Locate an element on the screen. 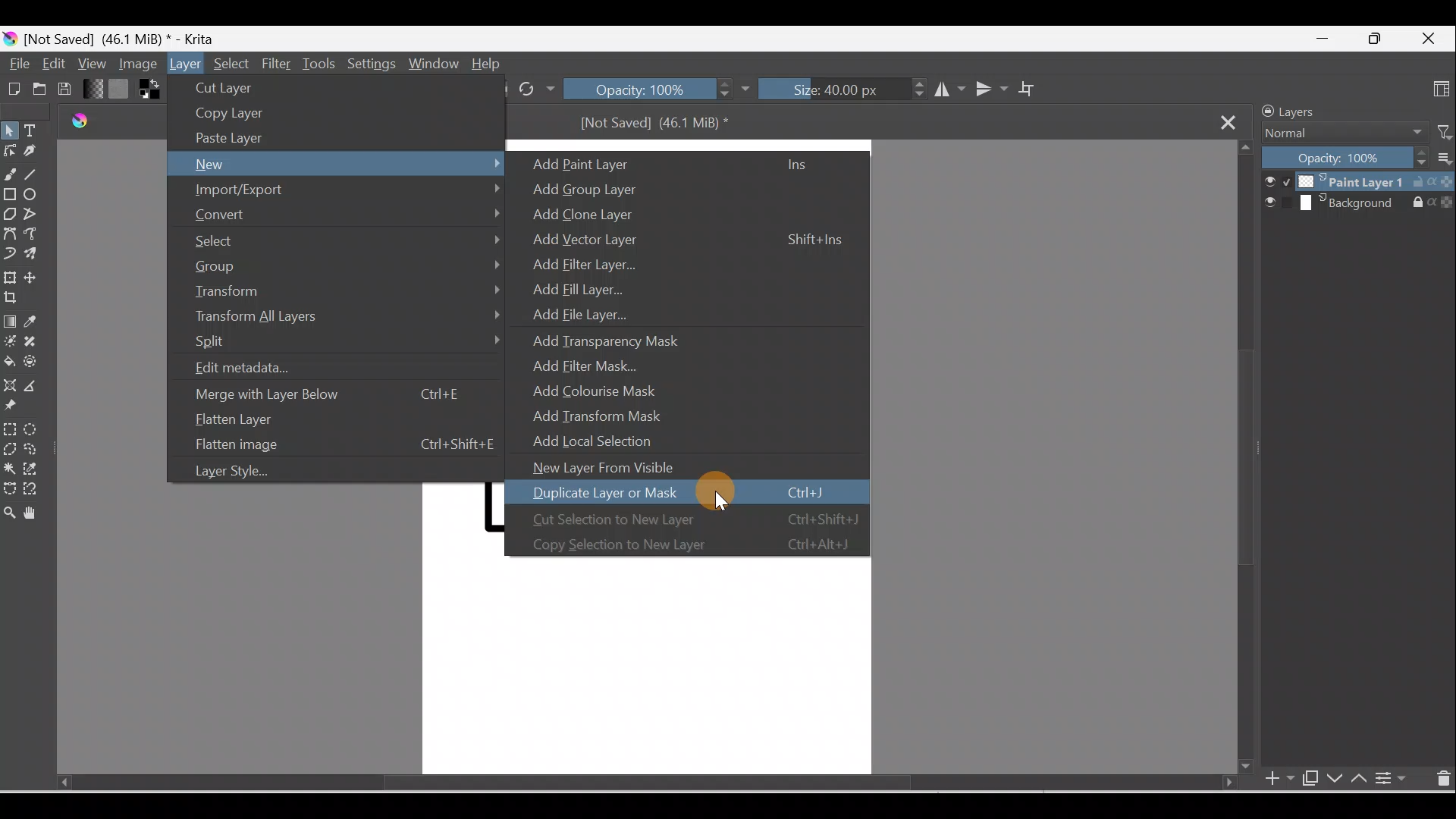 The width and height of the screenshot is (1456, 819). View/Change layer properties is located at coordinates (1394, 779).